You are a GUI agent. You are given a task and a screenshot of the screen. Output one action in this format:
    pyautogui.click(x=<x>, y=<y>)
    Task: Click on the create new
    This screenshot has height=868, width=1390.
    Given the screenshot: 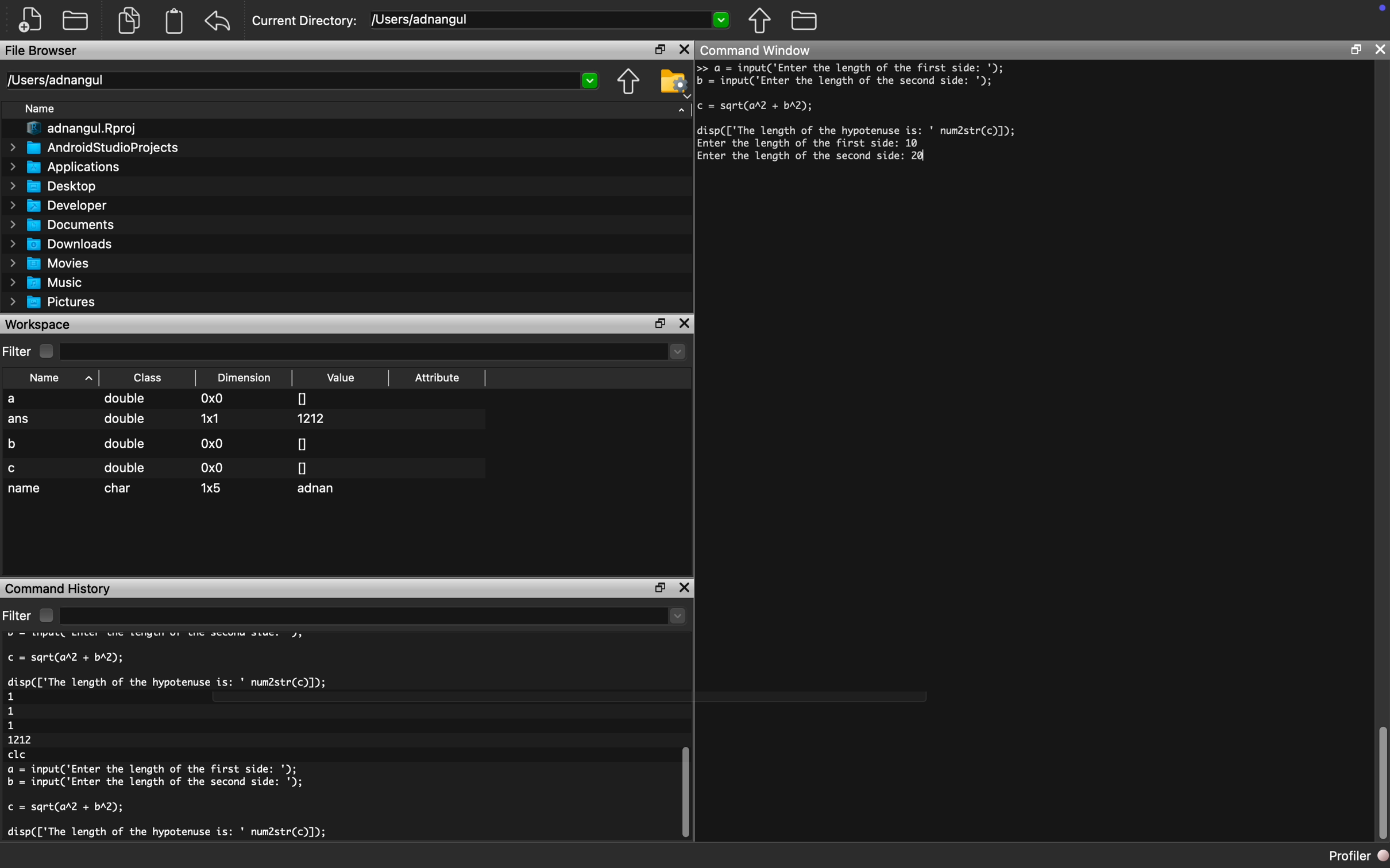 What is the action you would take?
    pyautogui.click(x=34, y=20)
    